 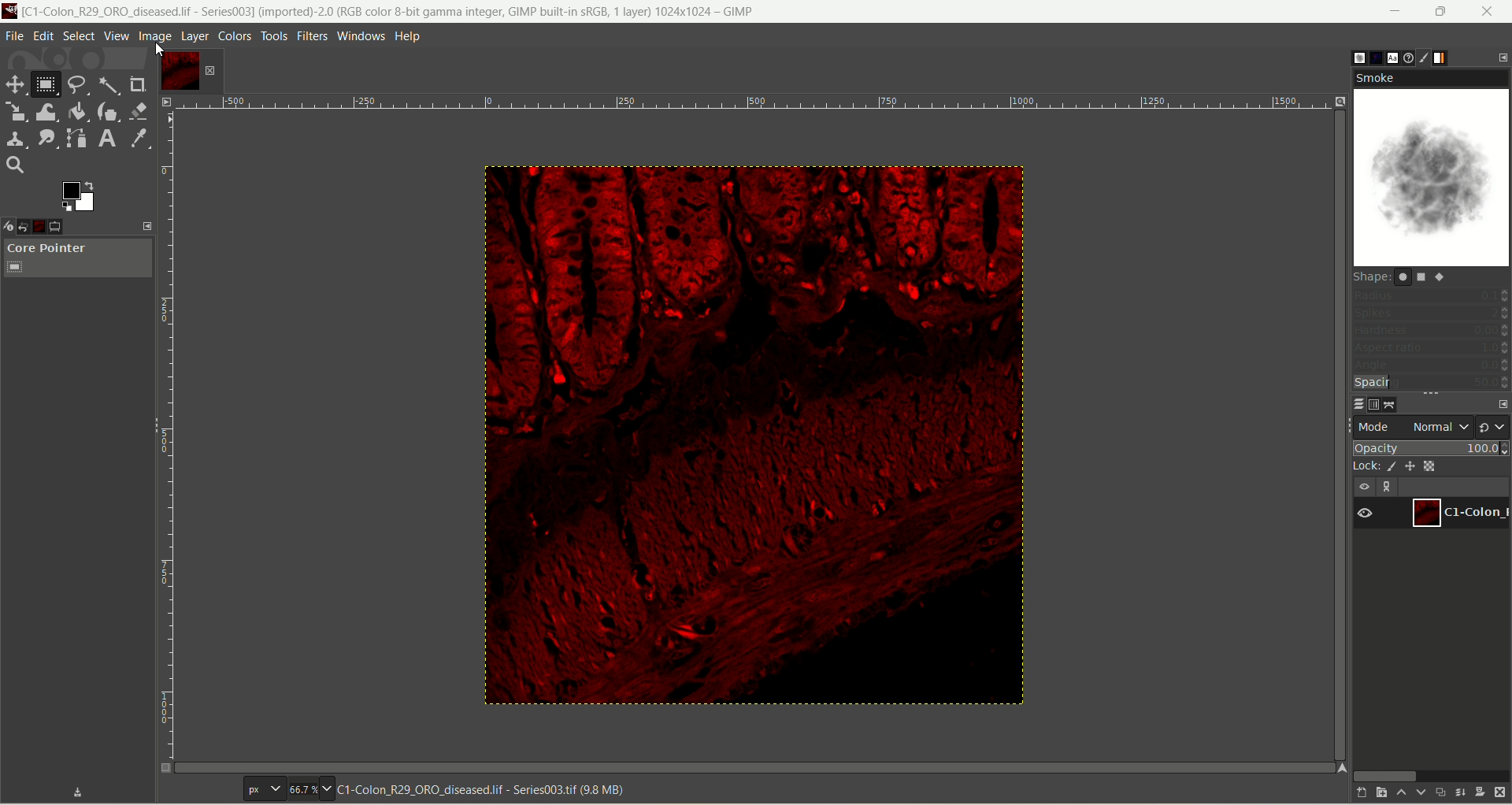 I want to click on zoom factor, so click(x=313, y=789).